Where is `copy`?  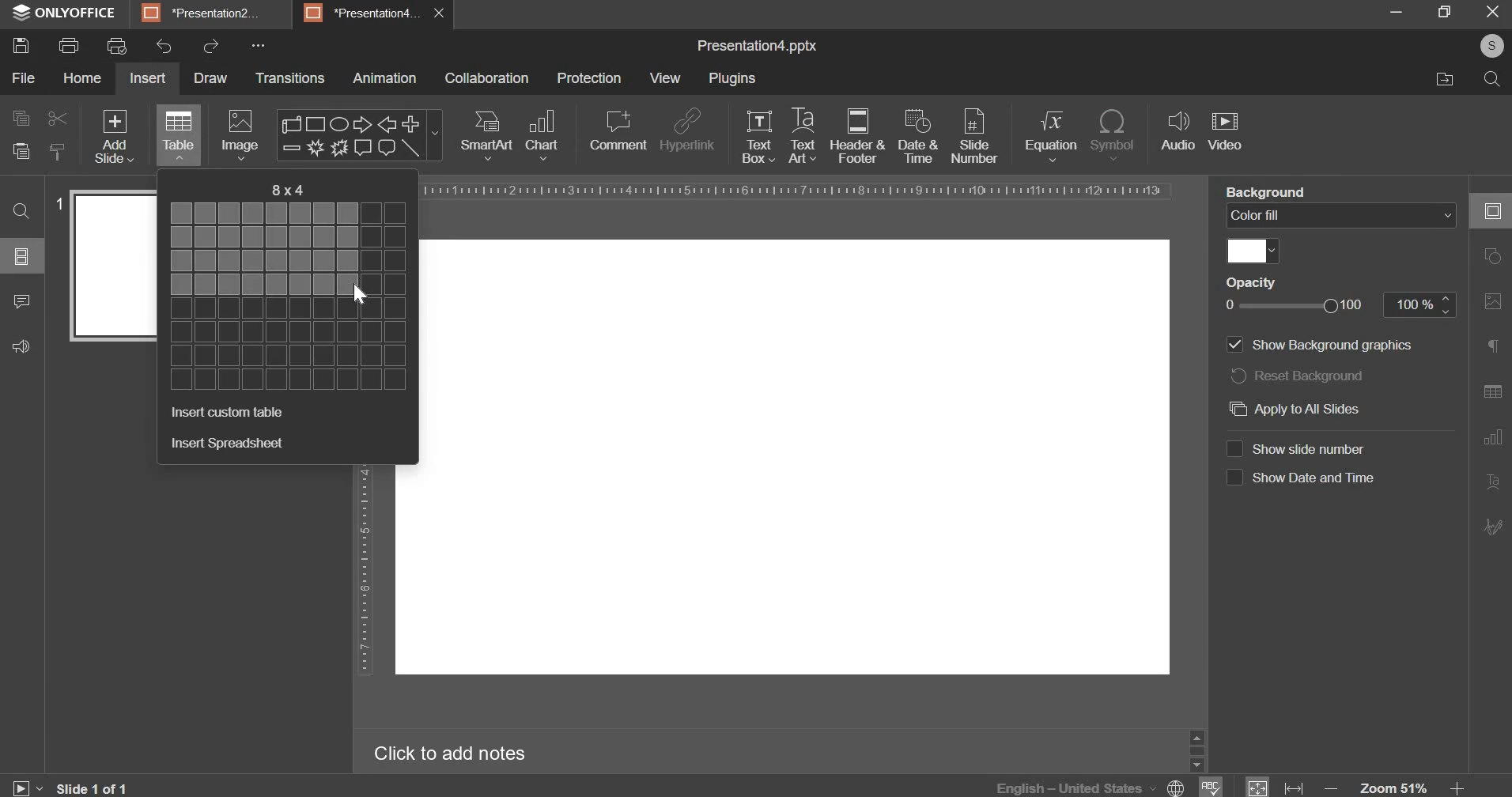 copy is located at coordinates (19, 119).